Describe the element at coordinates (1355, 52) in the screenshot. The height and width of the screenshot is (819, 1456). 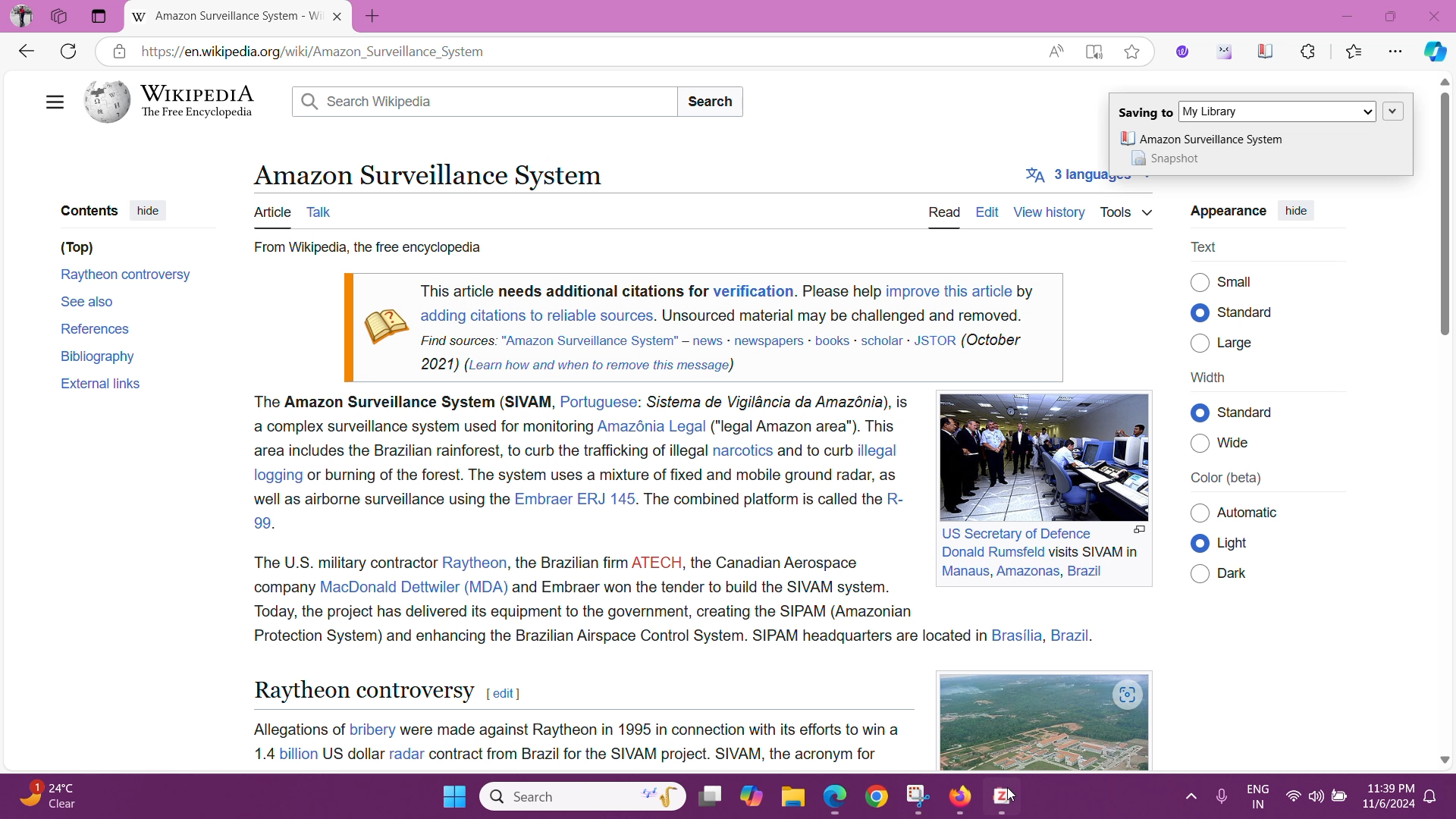
I see `Favorites` at that location.